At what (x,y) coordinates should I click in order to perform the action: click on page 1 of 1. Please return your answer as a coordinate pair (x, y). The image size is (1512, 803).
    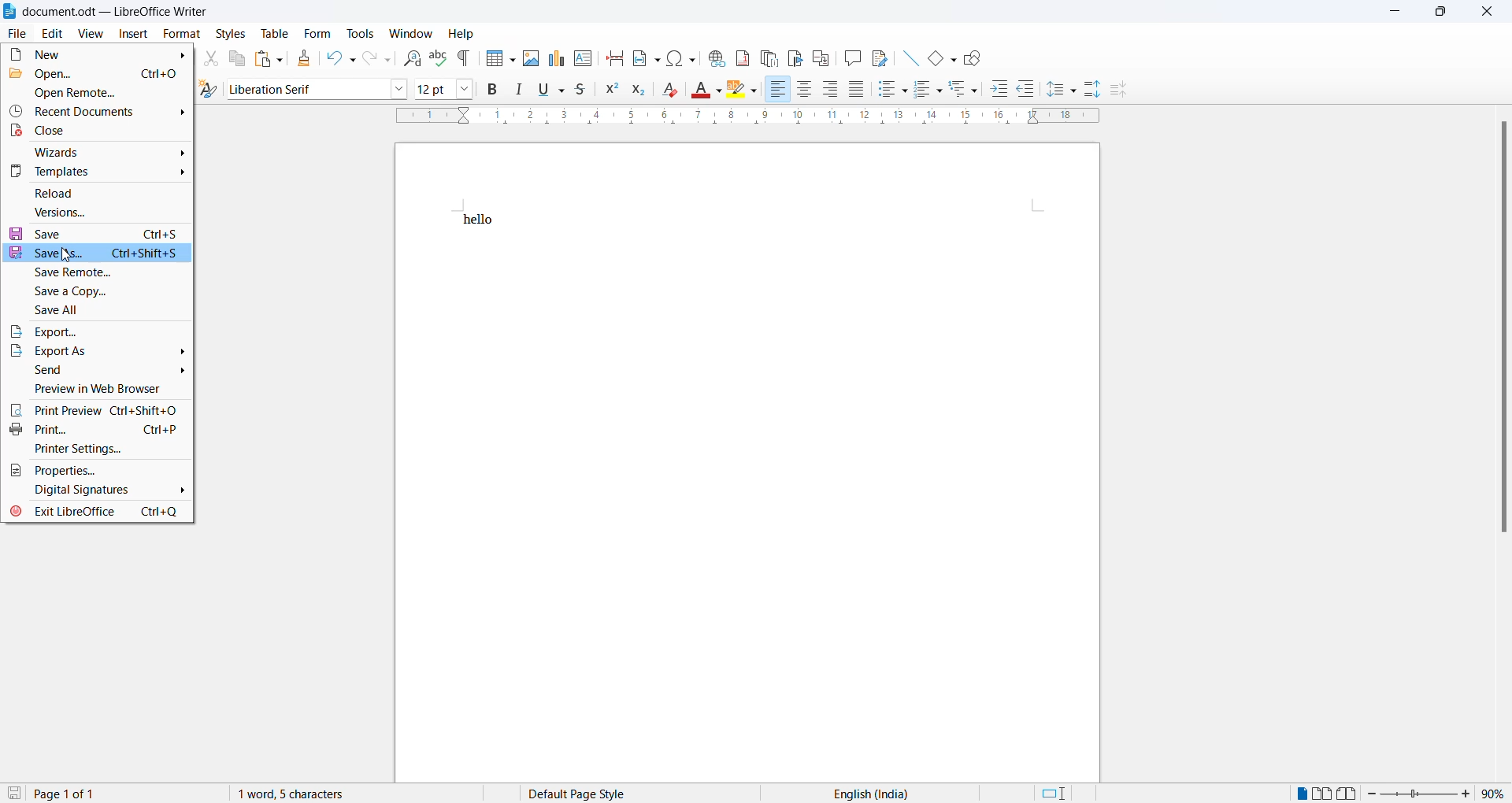
    Looking at the image, I should click on (65, 794).